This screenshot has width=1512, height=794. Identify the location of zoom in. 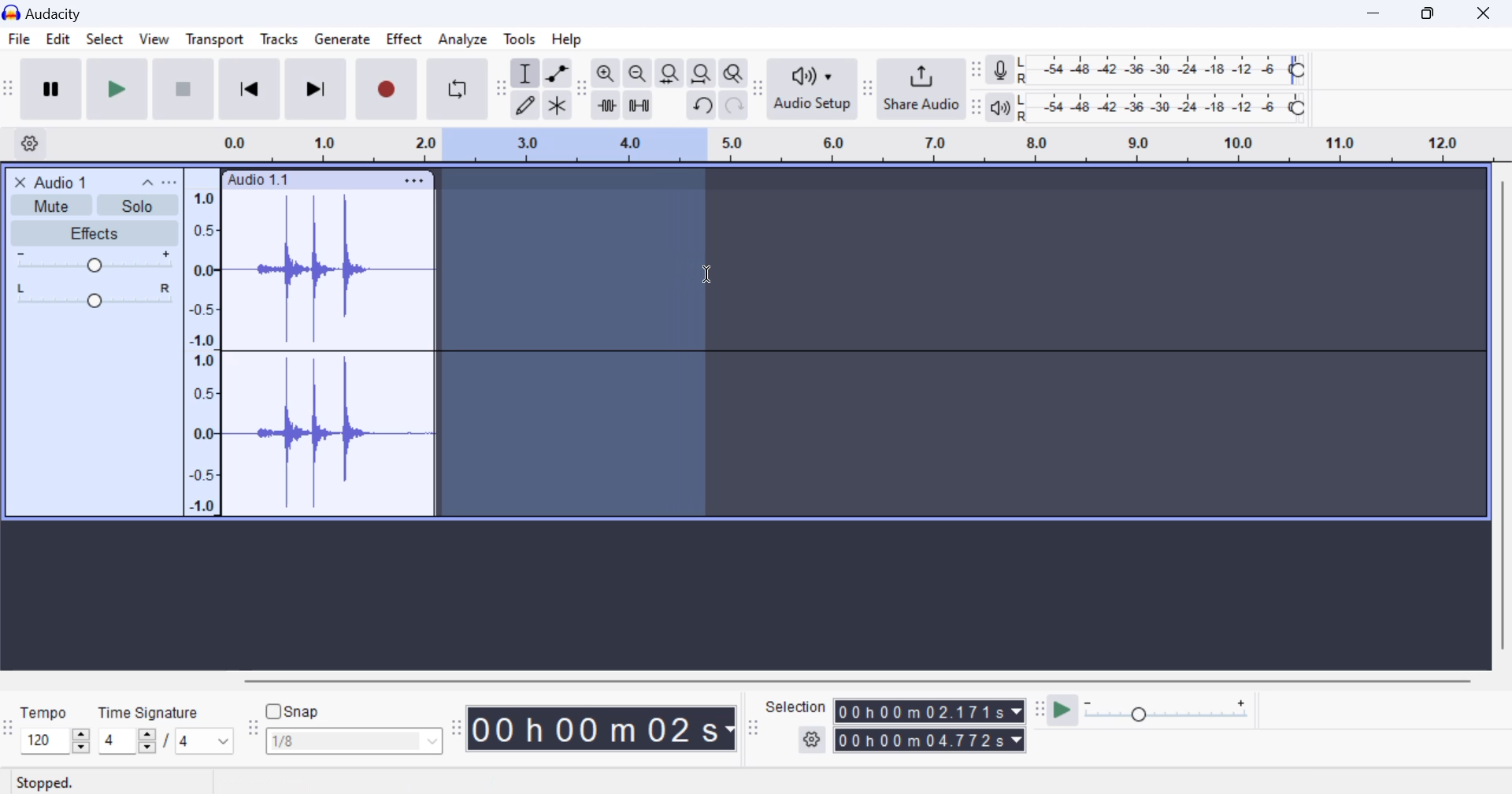
(606, 74).